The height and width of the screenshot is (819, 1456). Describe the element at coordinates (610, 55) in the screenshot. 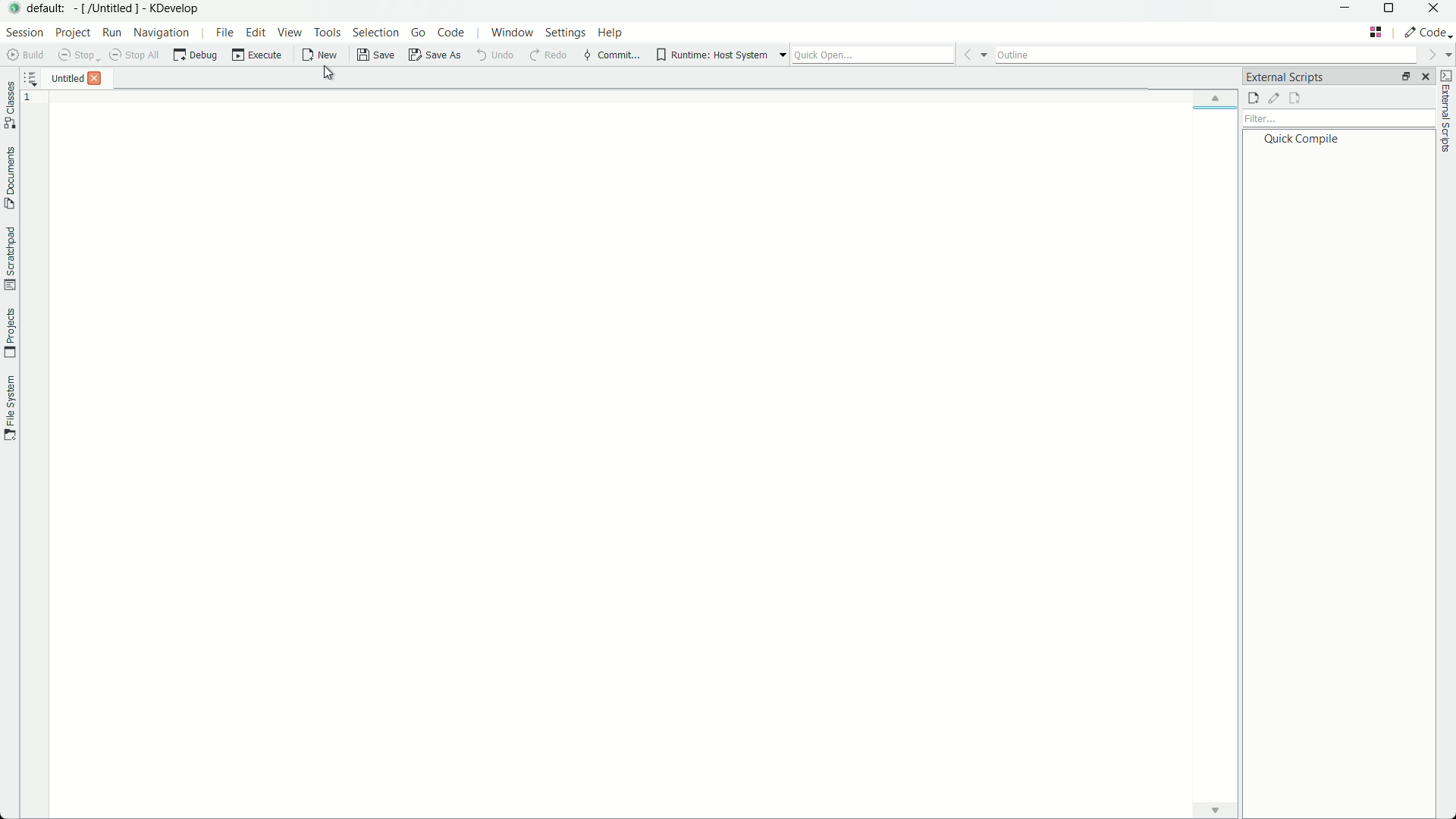

I see `commit` at that location.